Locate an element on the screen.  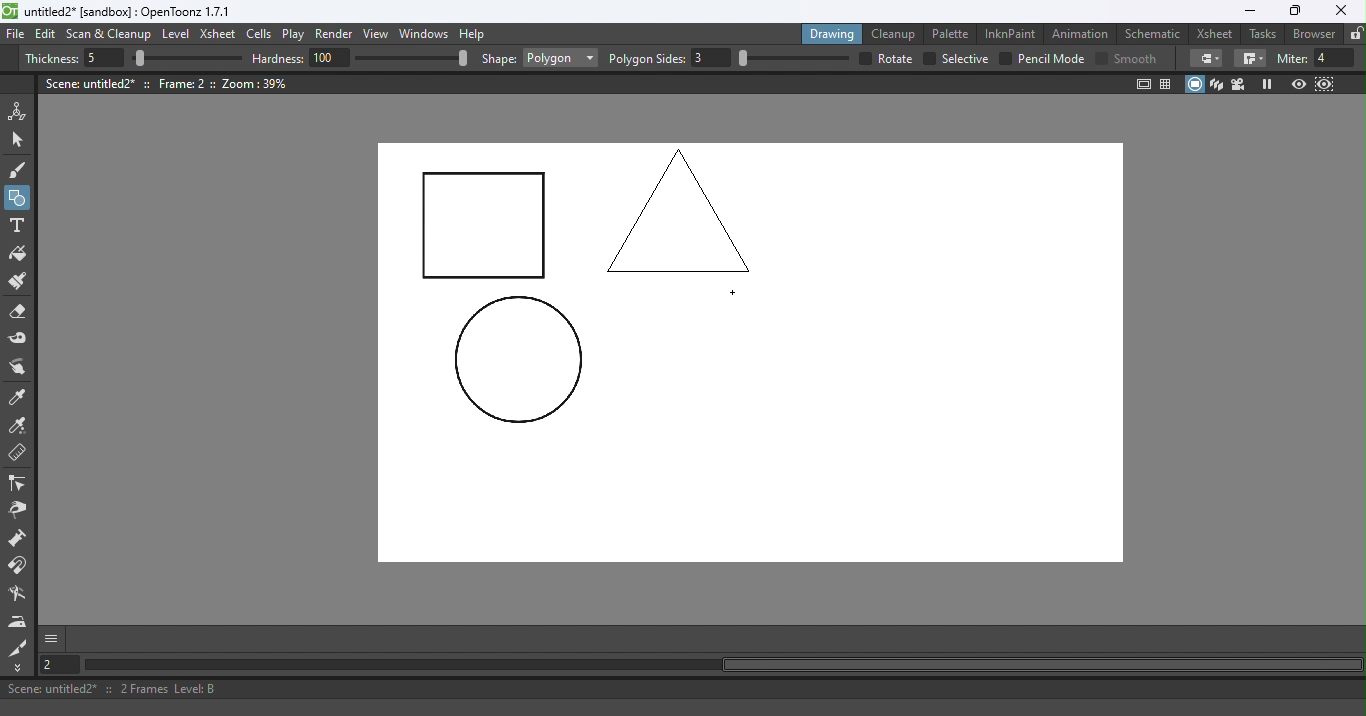
Control point editor tool is located at coordinates (18, 485).